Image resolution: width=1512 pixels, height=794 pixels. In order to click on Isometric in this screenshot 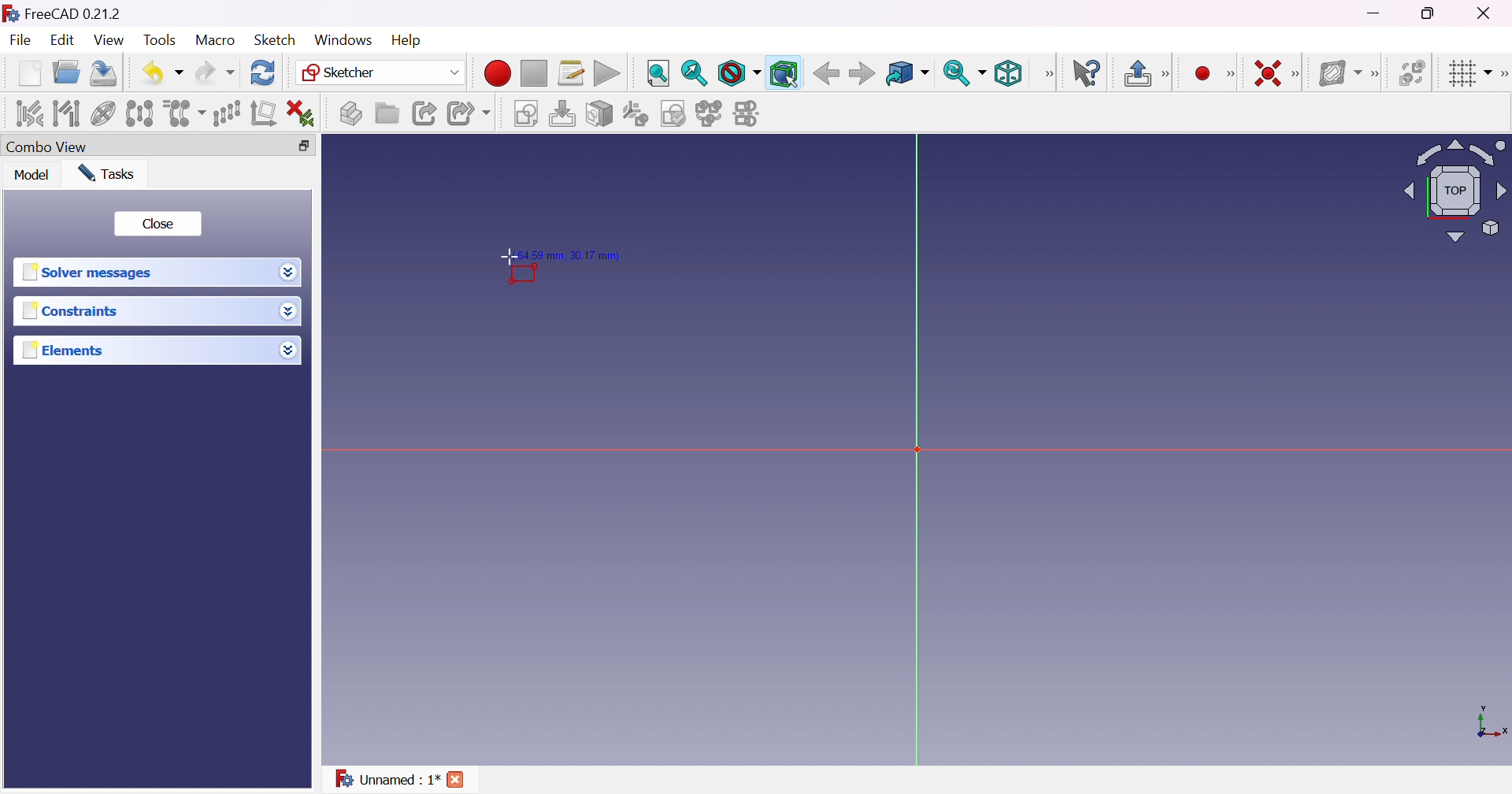, I will do `click(1009, 72)`.